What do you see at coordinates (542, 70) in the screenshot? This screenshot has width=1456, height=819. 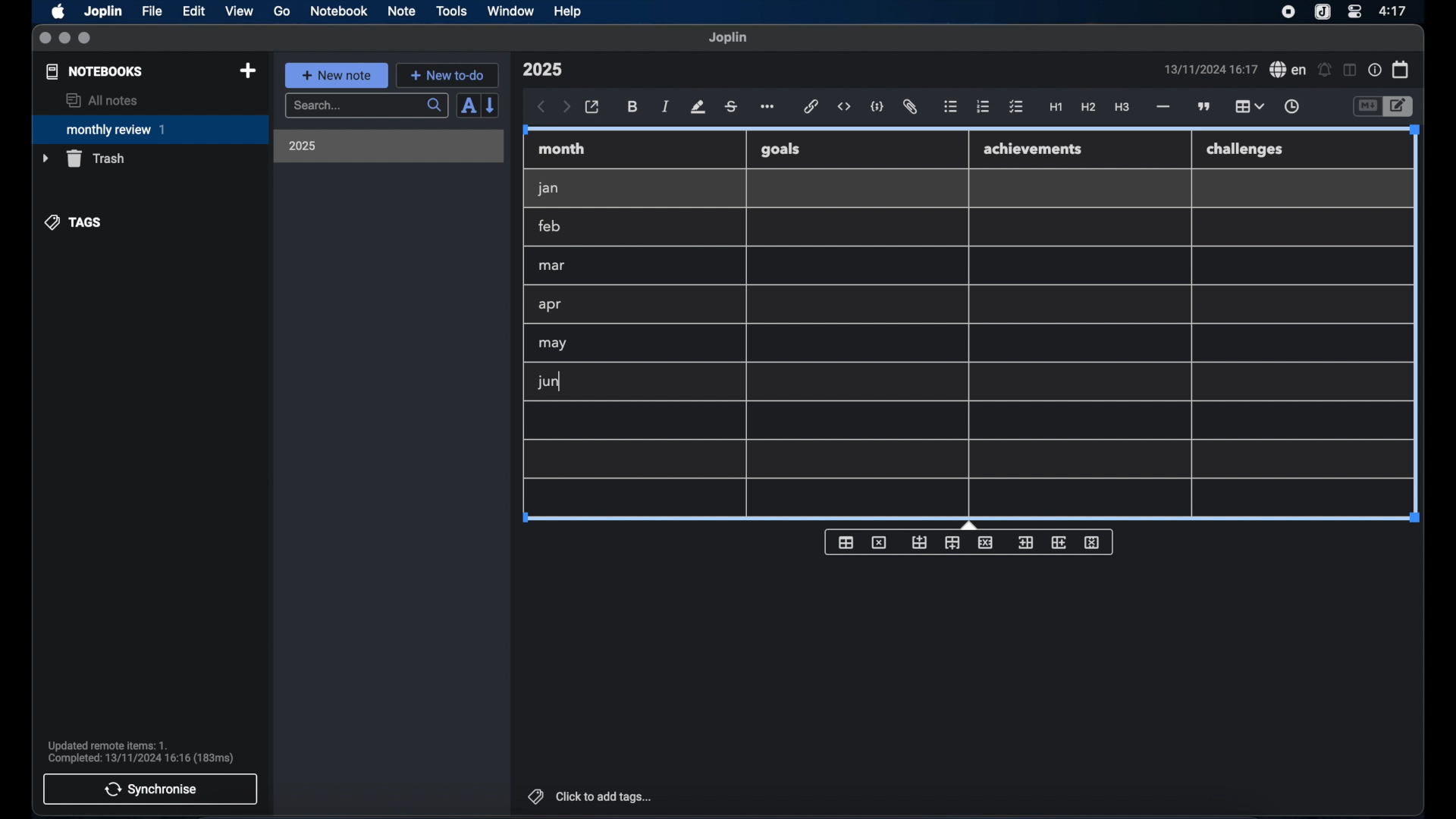 I see `note title` at bounding box center [542, 70].